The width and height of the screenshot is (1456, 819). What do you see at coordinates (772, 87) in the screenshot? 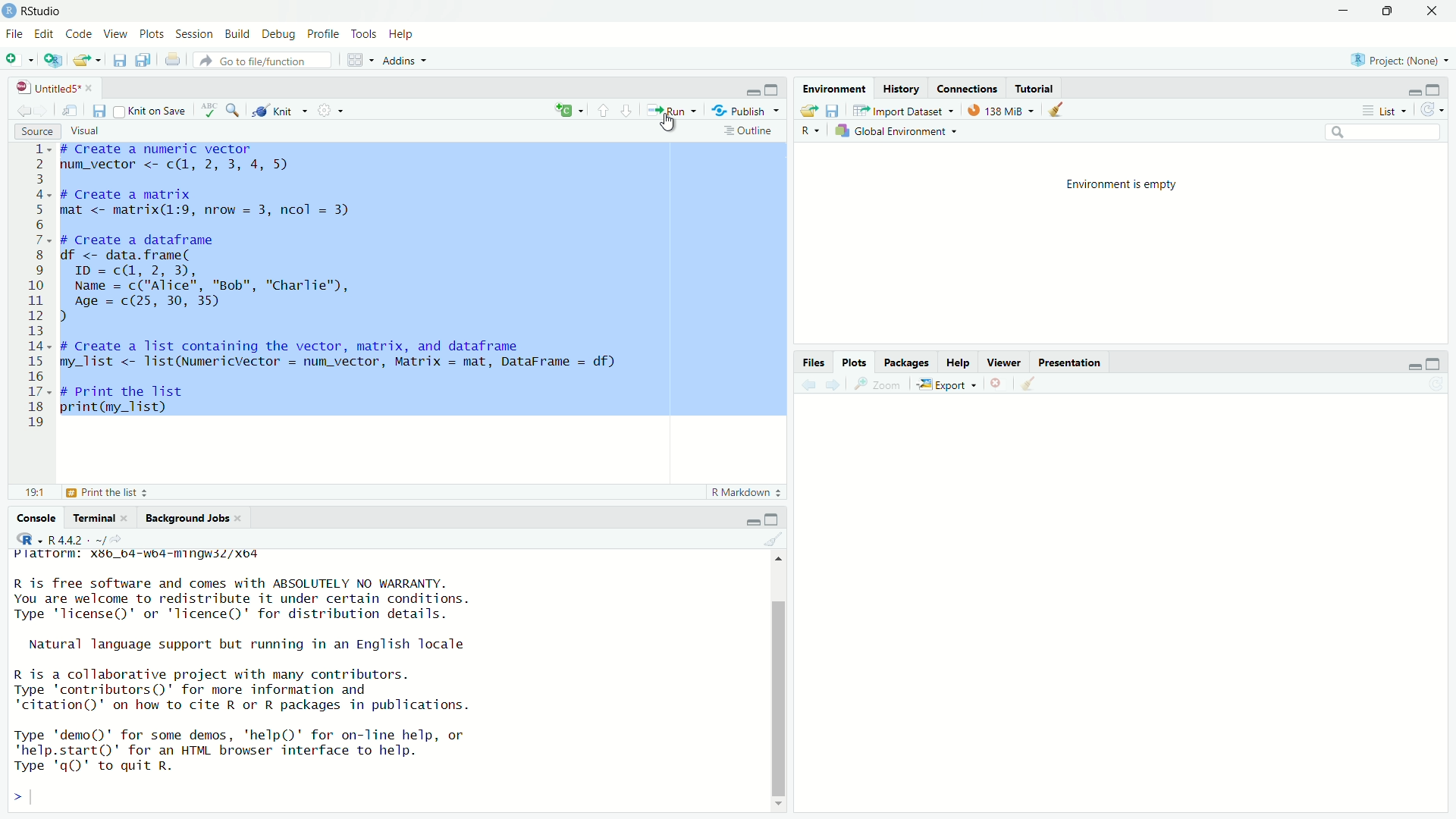
I see `maximise` at bounding box center [772, 87].